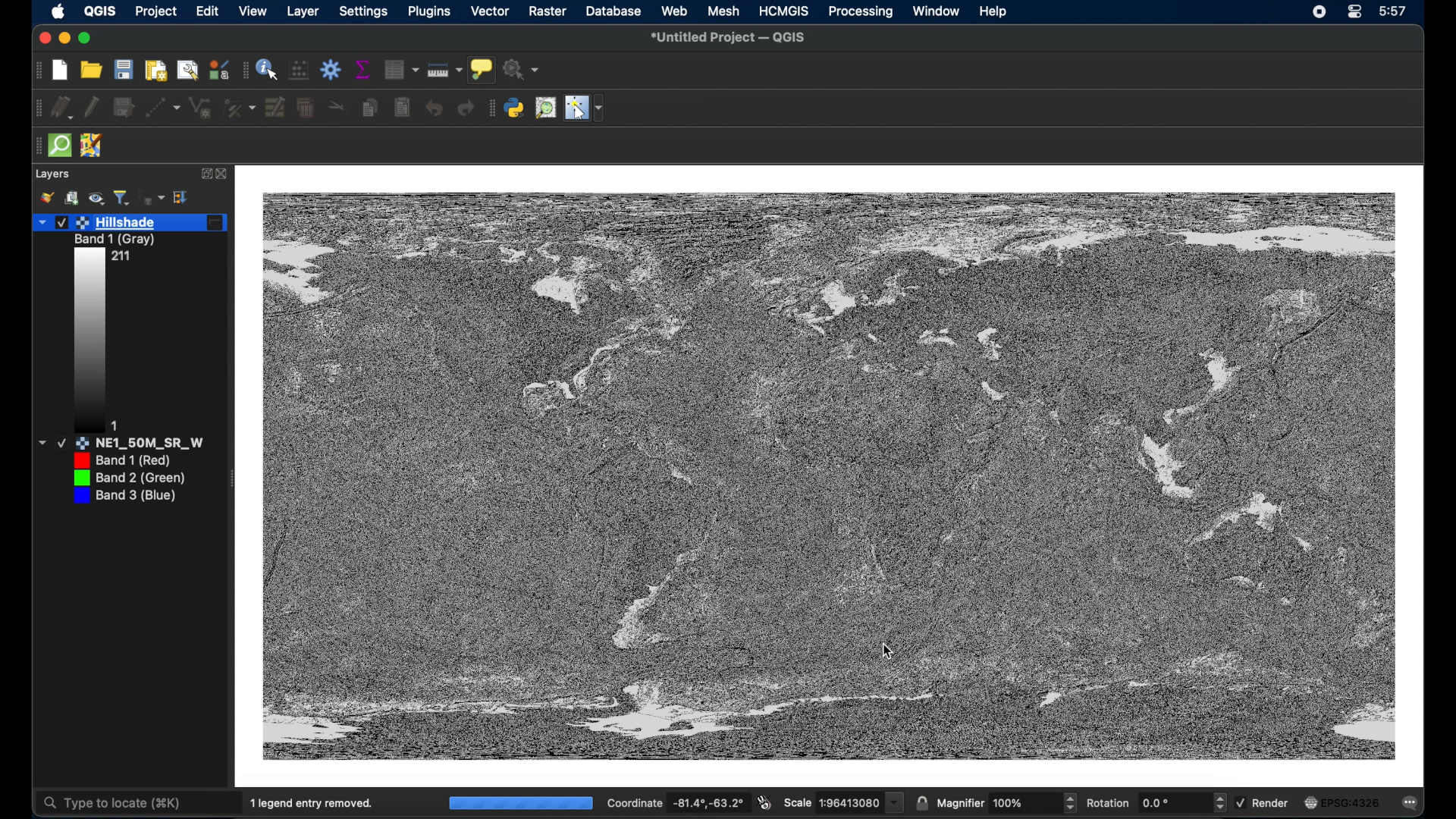 Image resolution: width=1456 pixels, height=819 pixels. What do you see at coordinates (255, 11) in the screenshot?
I see `view` at bounding box center [255, 11].